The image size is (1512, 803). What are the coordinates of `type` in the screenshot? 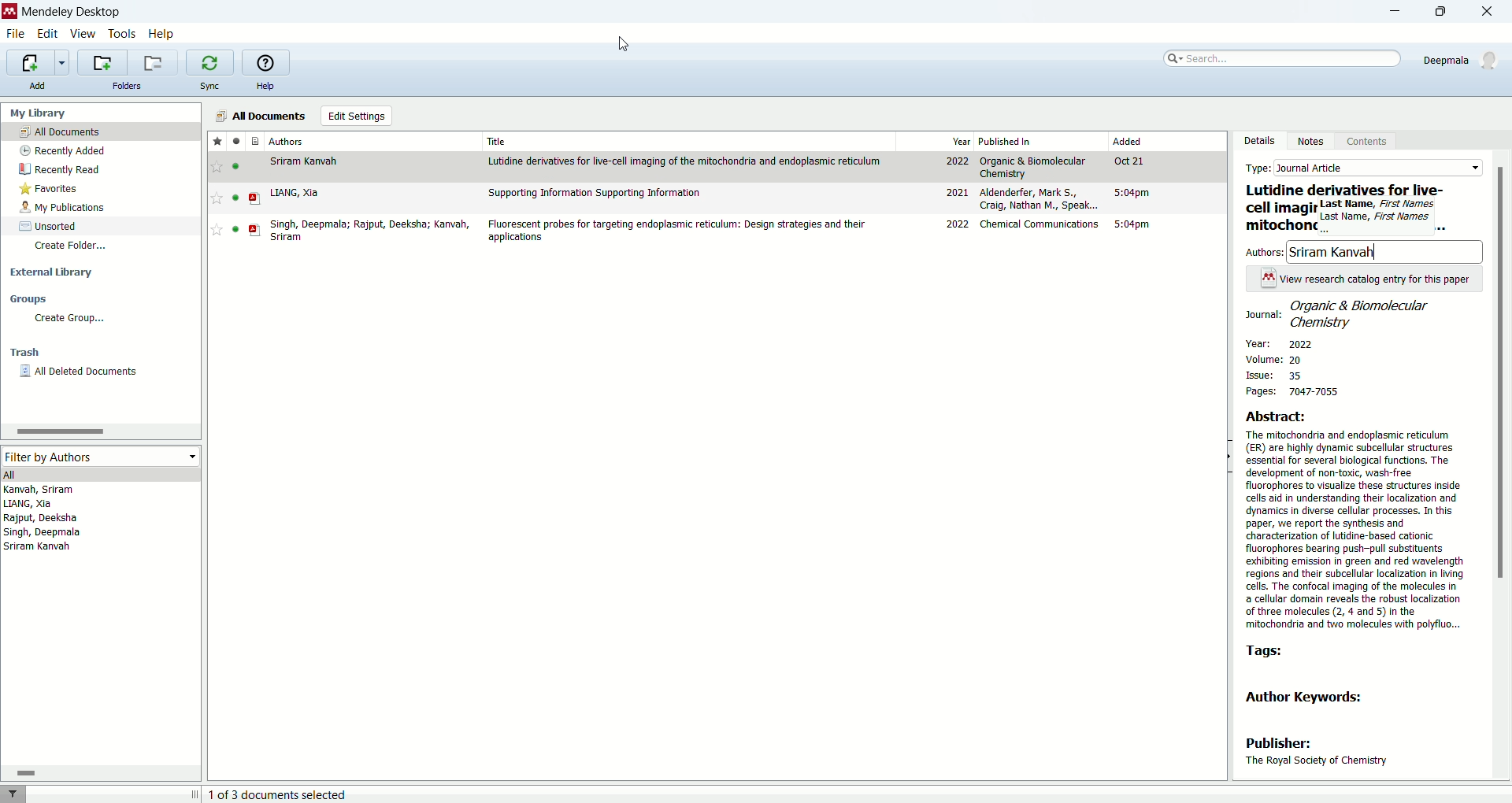 It's located at (1260, 168).